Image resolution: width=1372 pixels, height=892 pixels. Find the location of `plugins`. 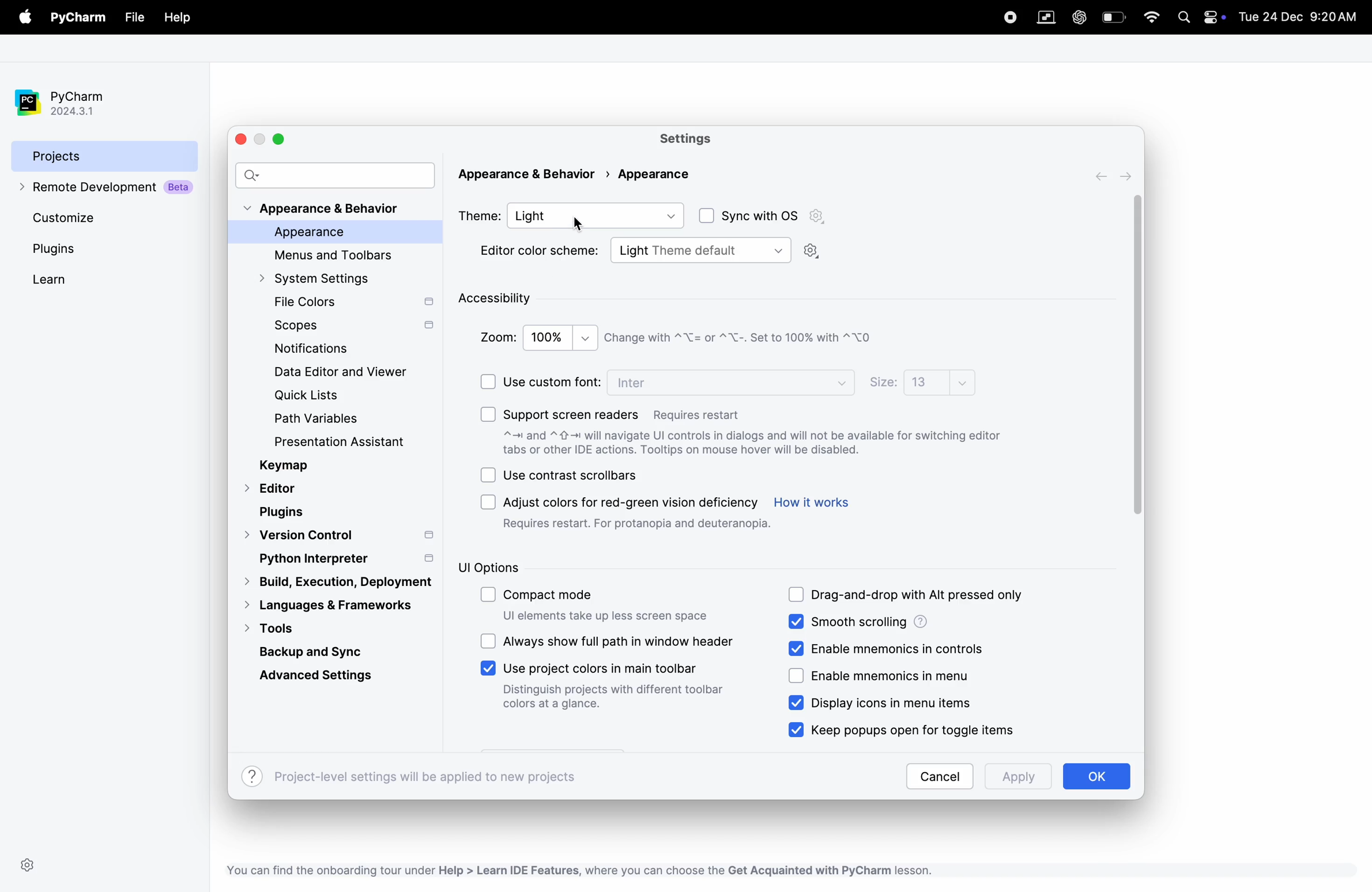

plugins is located at coordinates (77, 249).